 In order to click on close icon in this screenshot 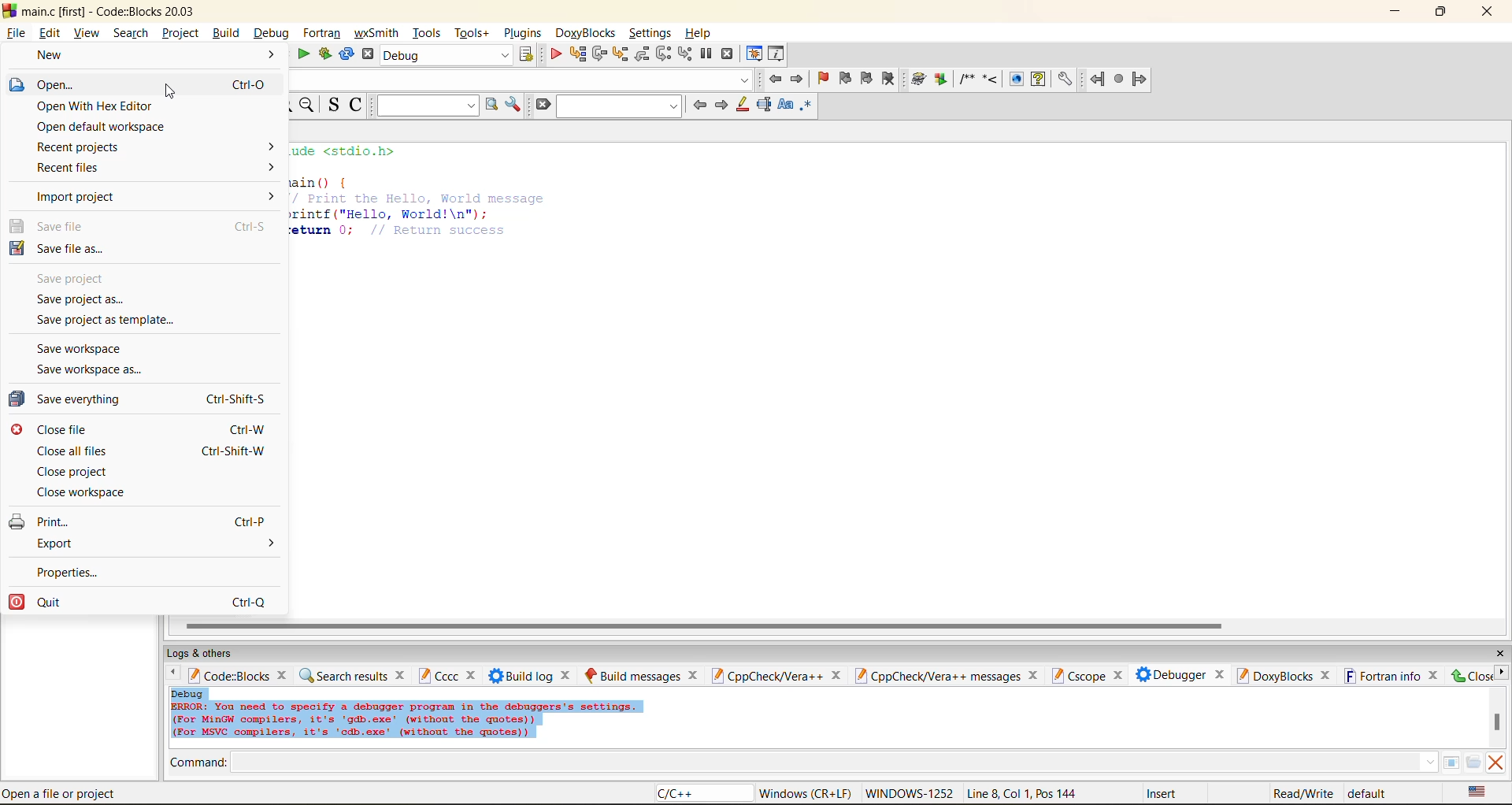, I will do `click(17, 429)`.